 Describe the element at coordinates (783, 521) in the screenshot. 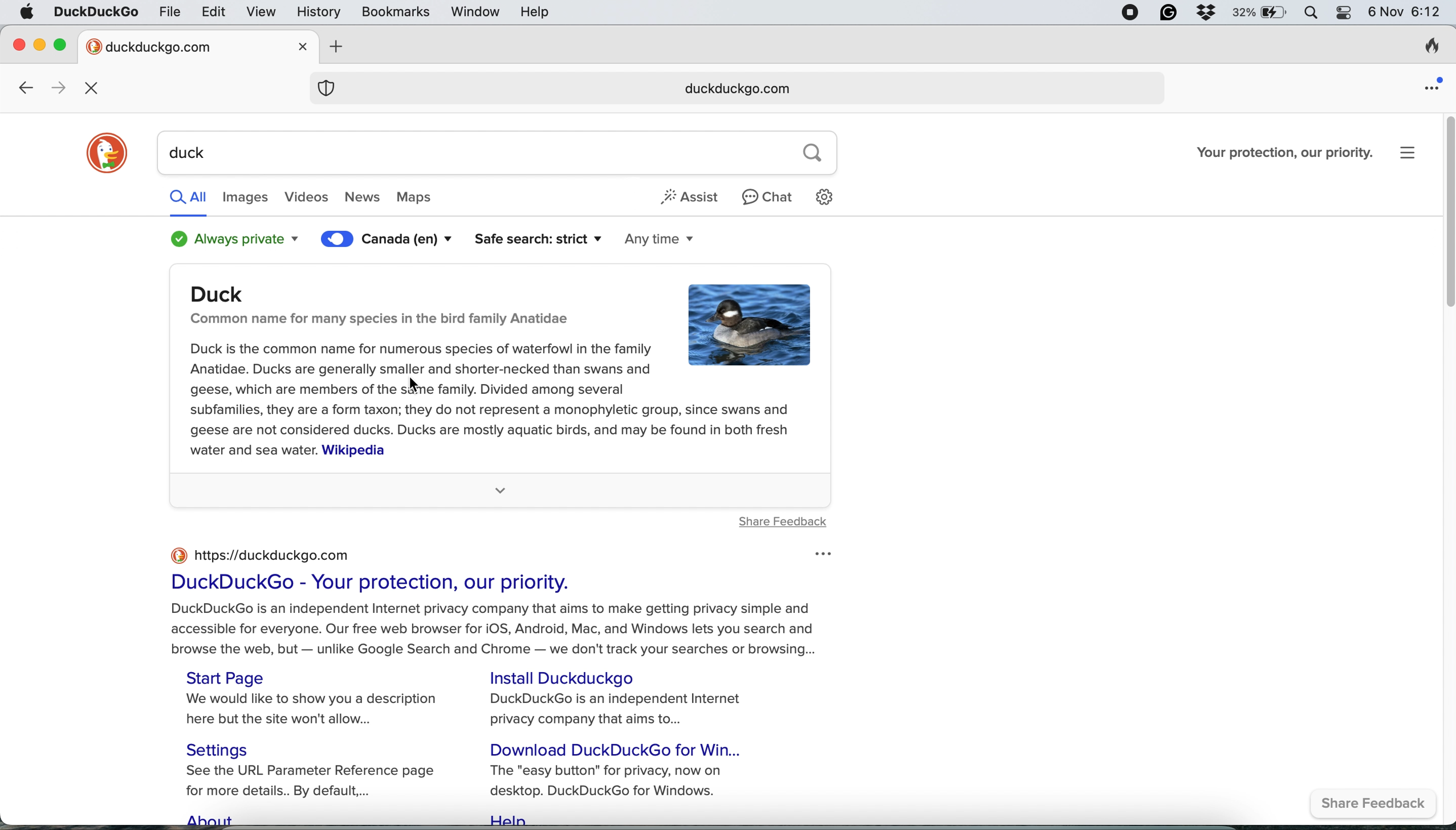

I see `share feedback` at that location.